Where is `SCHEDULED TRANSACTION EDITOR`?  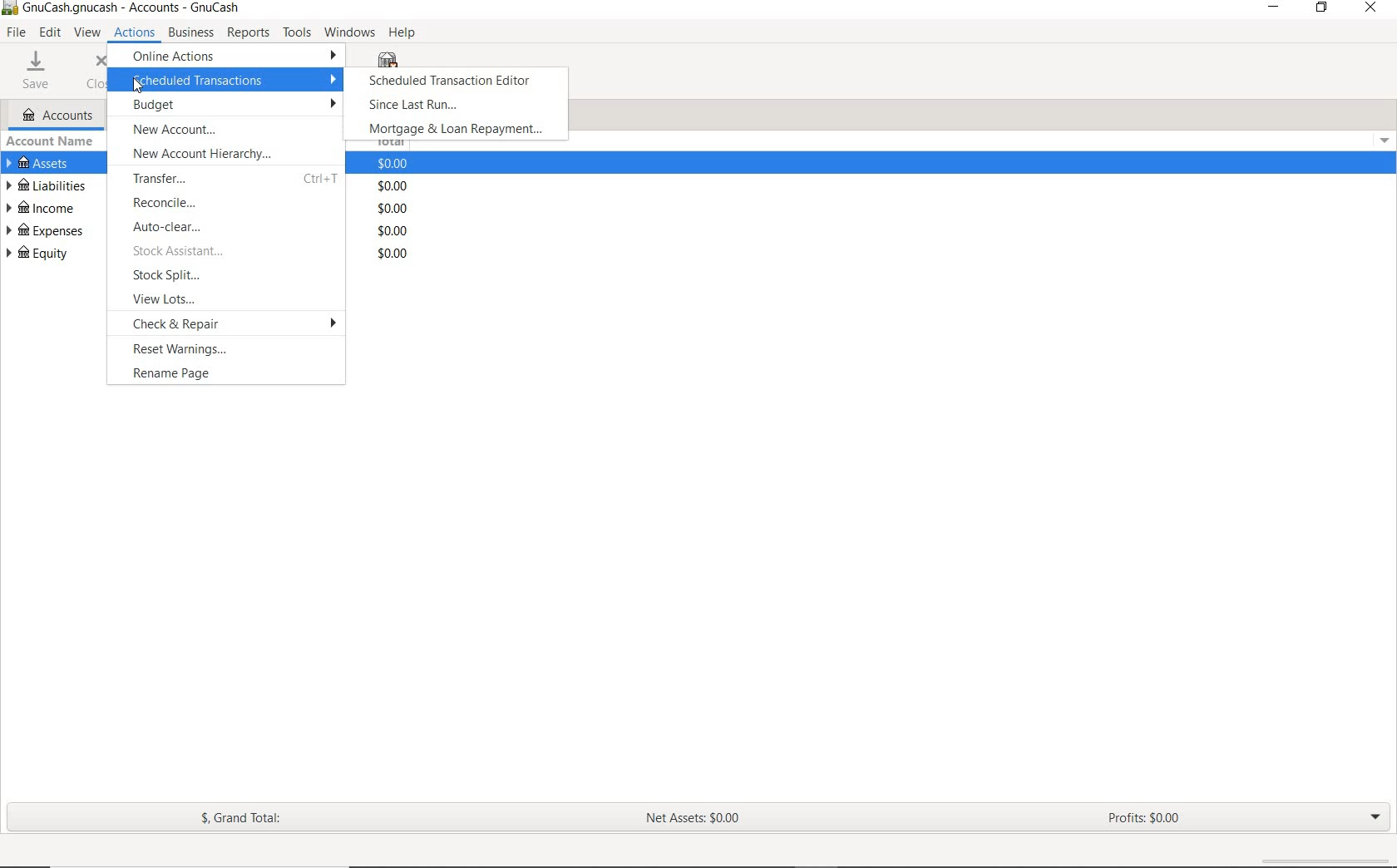 SCHEDULED TRANSACTION EDITOR is located at coordinates (455, 84).